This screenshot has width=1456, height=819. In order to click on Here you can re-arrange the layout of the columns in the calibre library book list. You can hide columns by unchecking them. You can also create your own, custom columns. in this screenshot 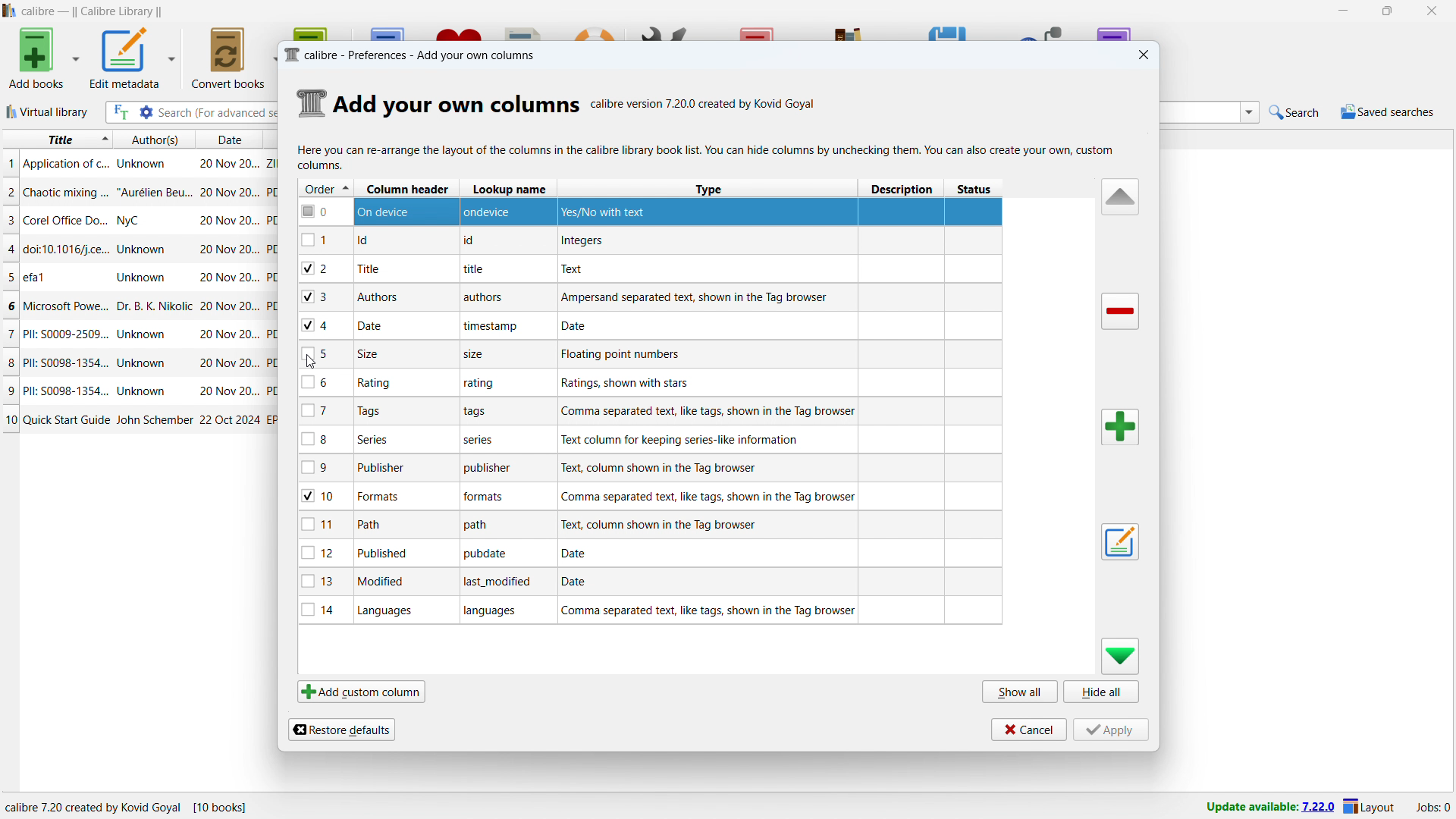, I will do `click(708, 158)`.